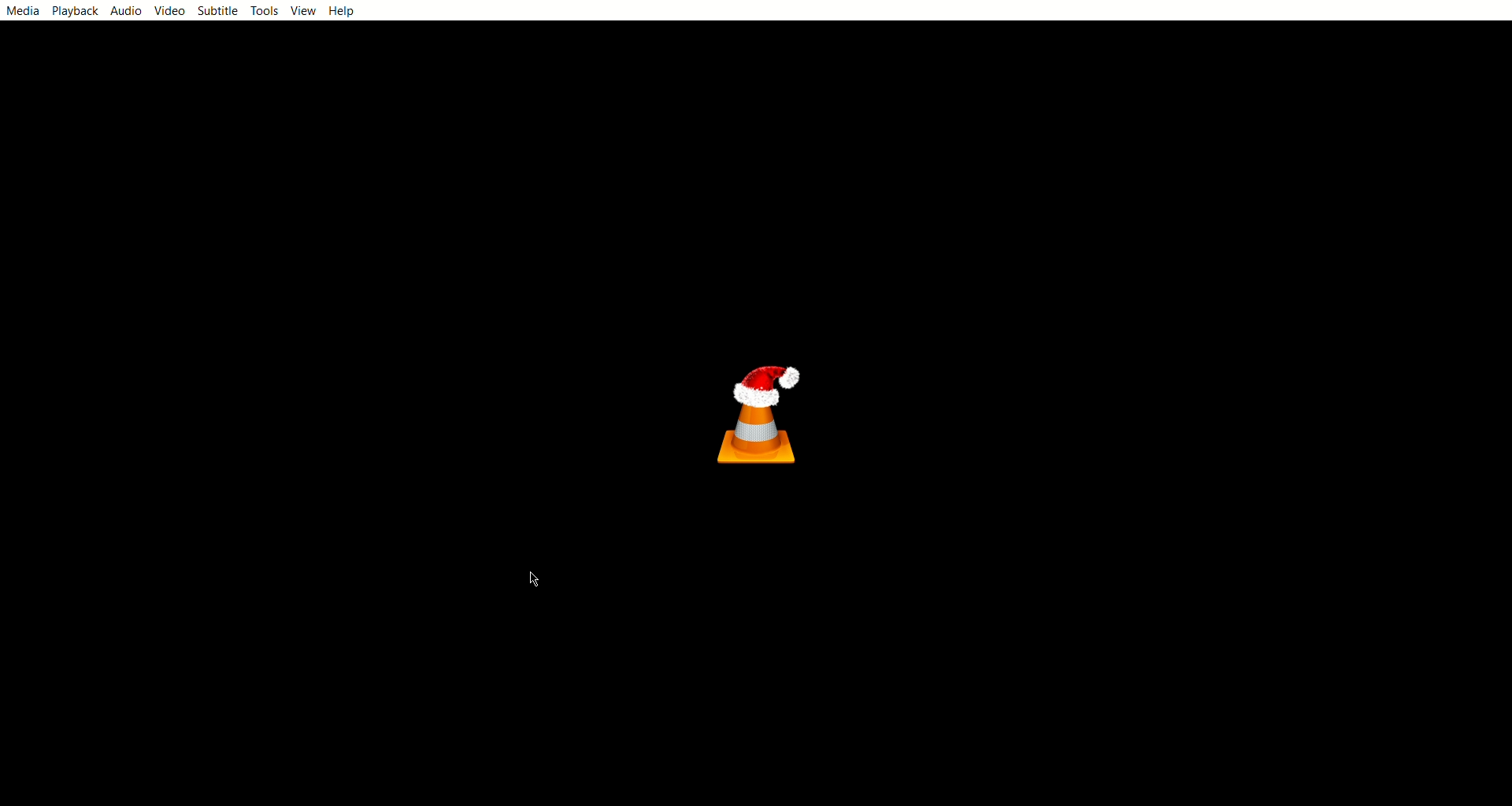  I want to click on playback, so click(77, 12).